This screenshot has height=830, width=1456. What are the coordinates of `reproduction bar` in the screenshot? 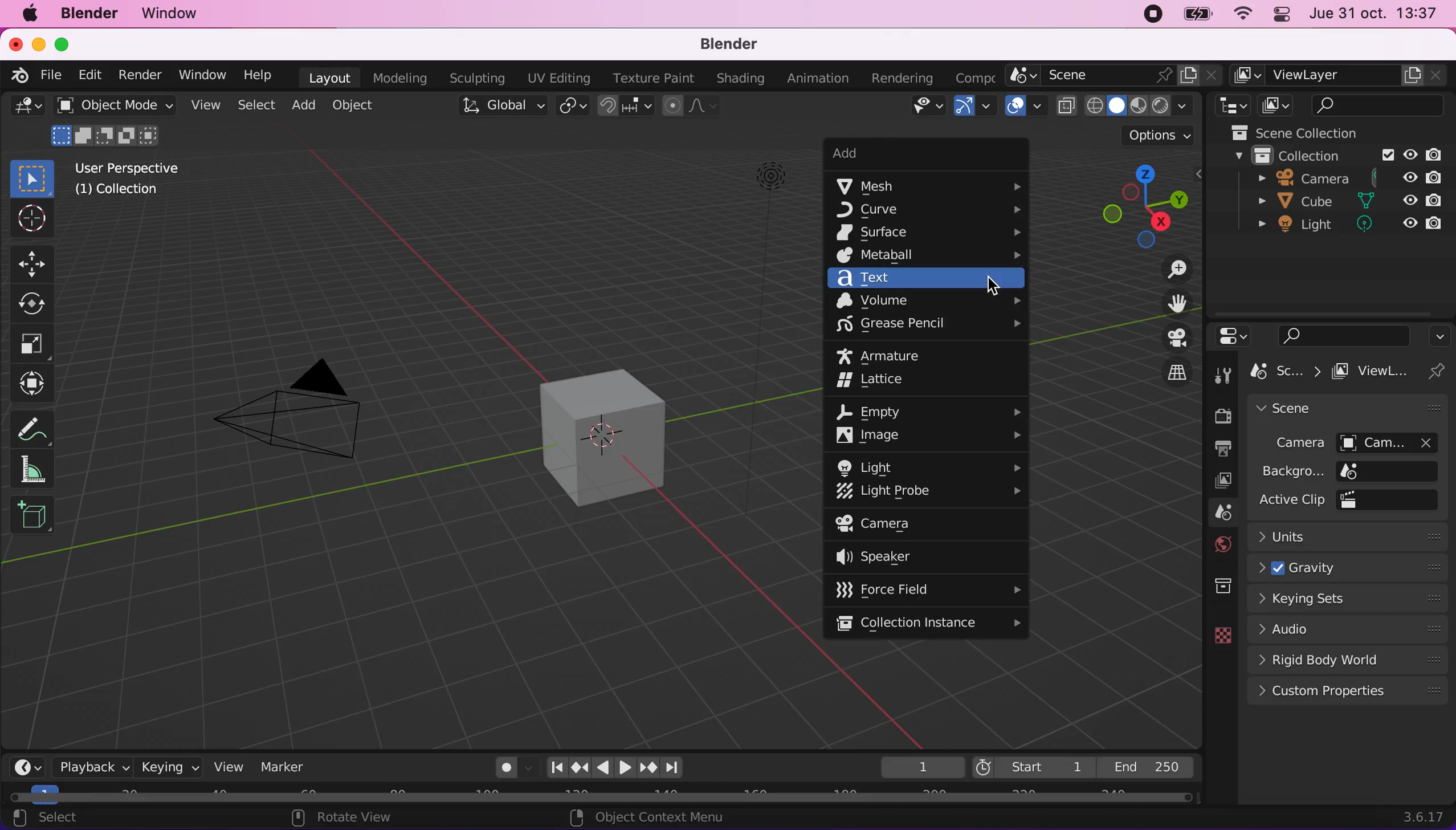 It's located at (624, 767).